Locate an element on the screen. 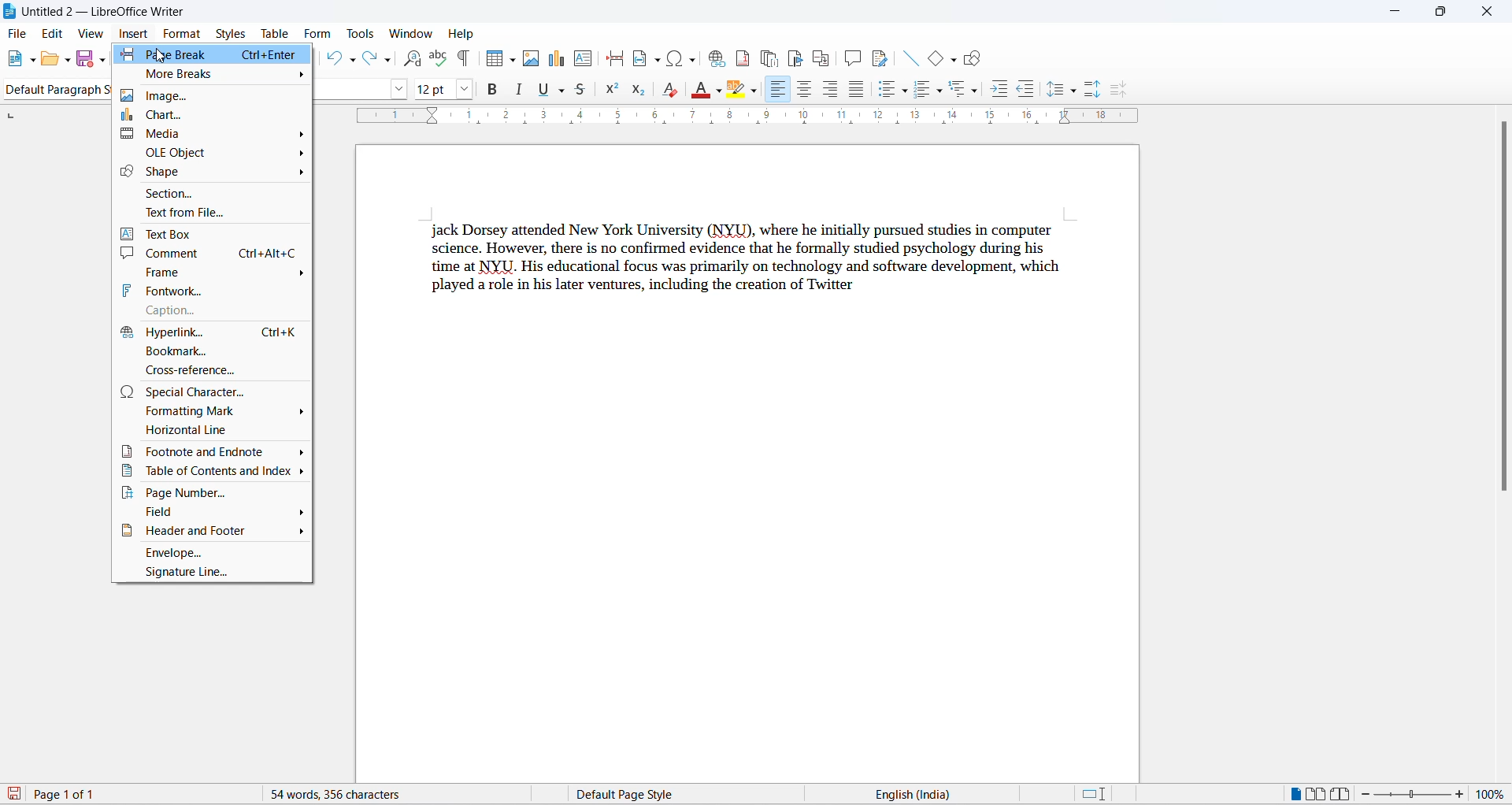 Image resolution: width=1512 pixels, height=805 pixels. maximize is located at coordinates (1441, 13).